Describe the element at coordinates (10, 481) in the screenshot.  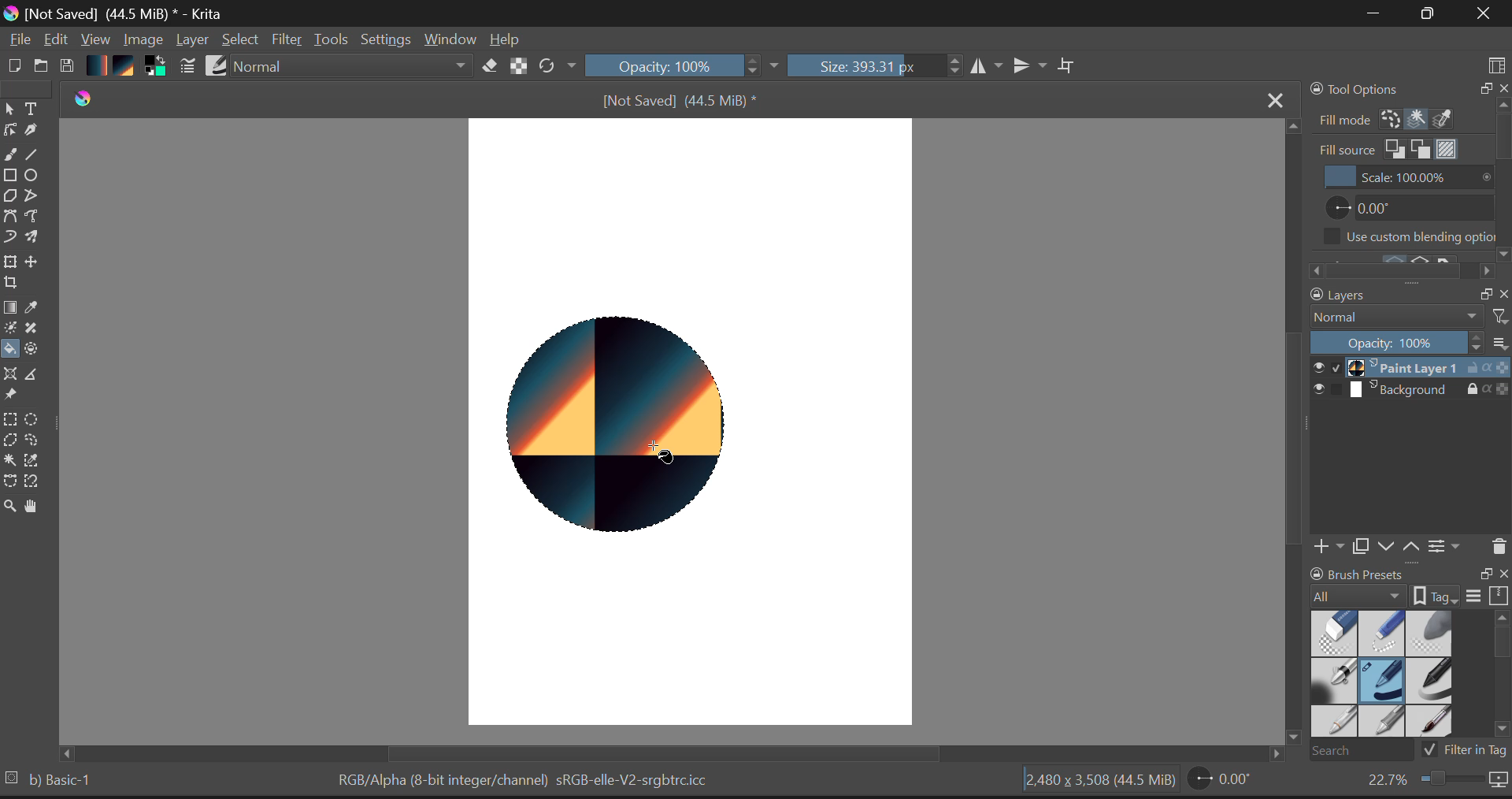
I see `Bezier Curve` at that location.